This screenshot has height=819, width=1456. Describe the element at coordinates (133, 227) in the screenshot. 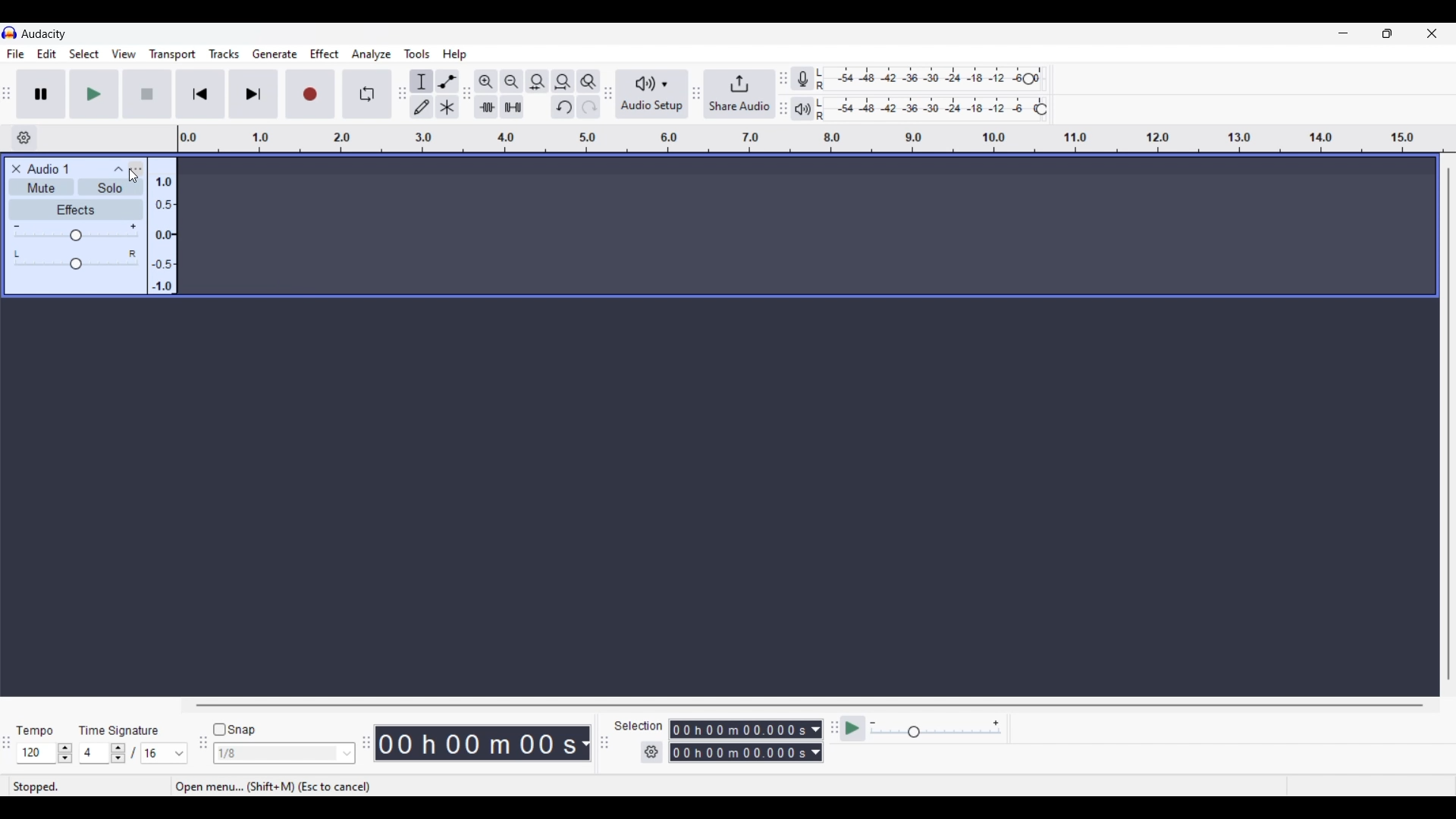

I see `Increase` at that location.